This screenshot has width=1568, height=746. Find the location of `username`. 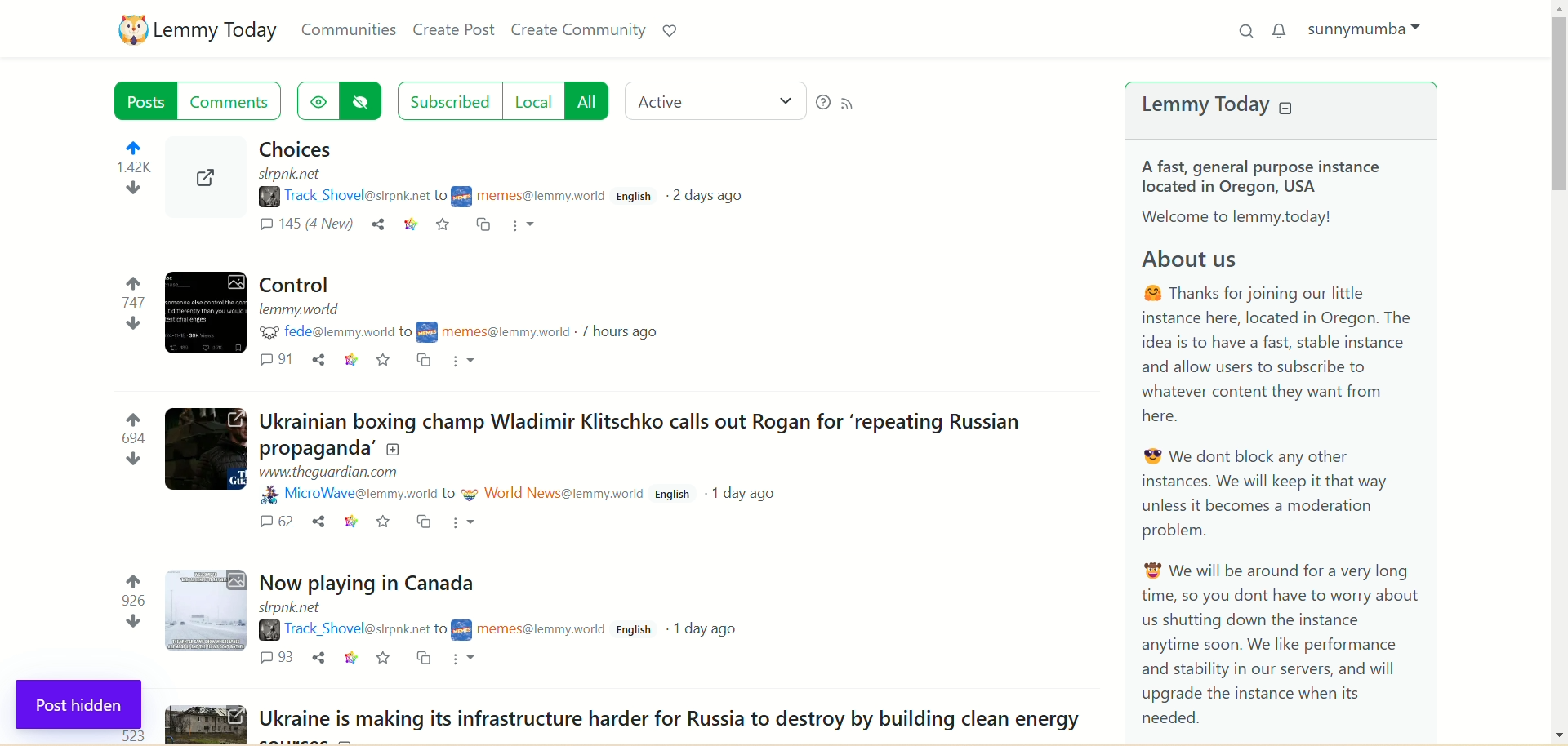

username is located at coordinates (348, 628).